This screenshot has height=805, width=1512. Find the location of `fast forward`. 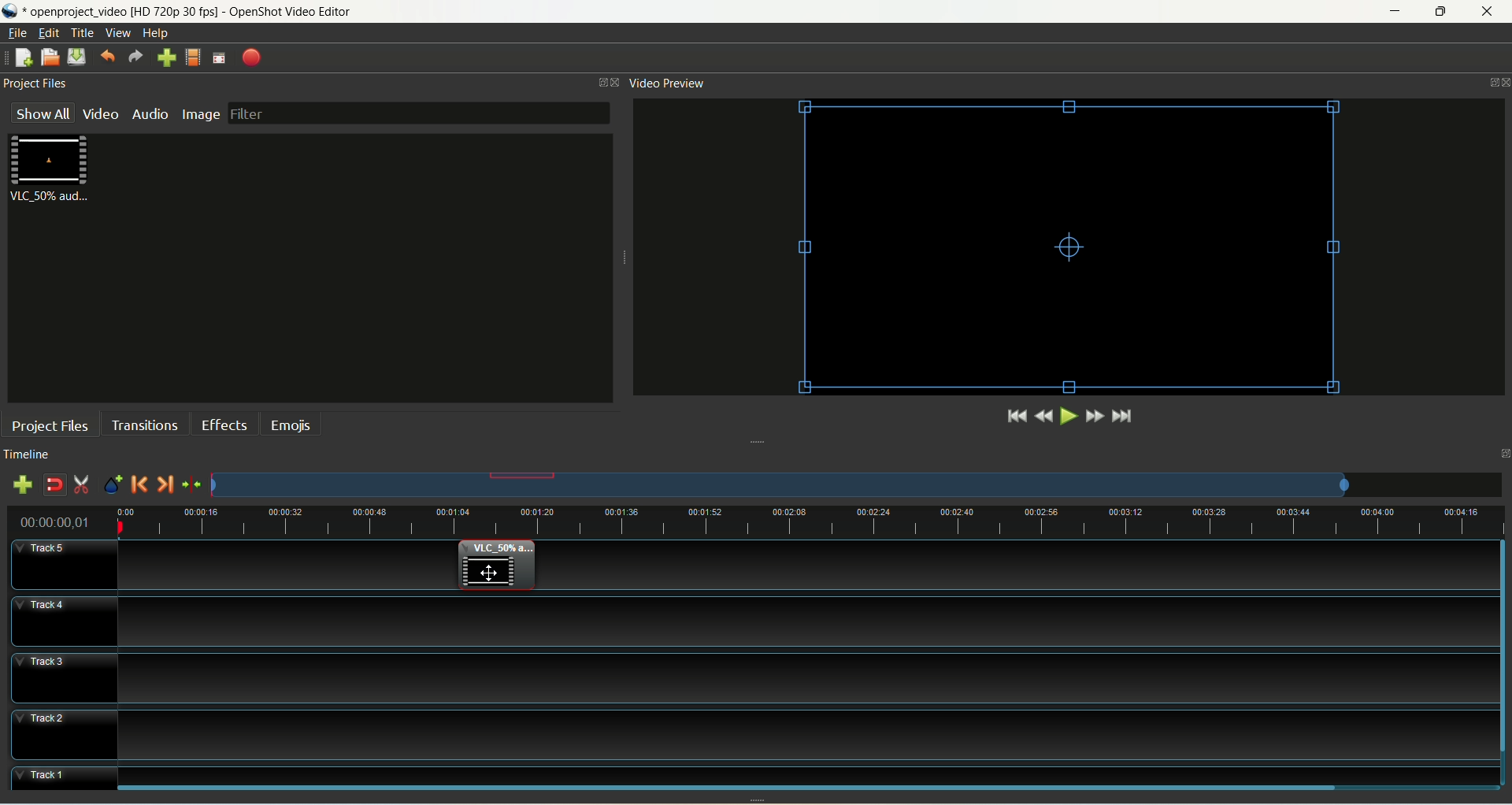

fast forward is located at coordinates (1097, 415).